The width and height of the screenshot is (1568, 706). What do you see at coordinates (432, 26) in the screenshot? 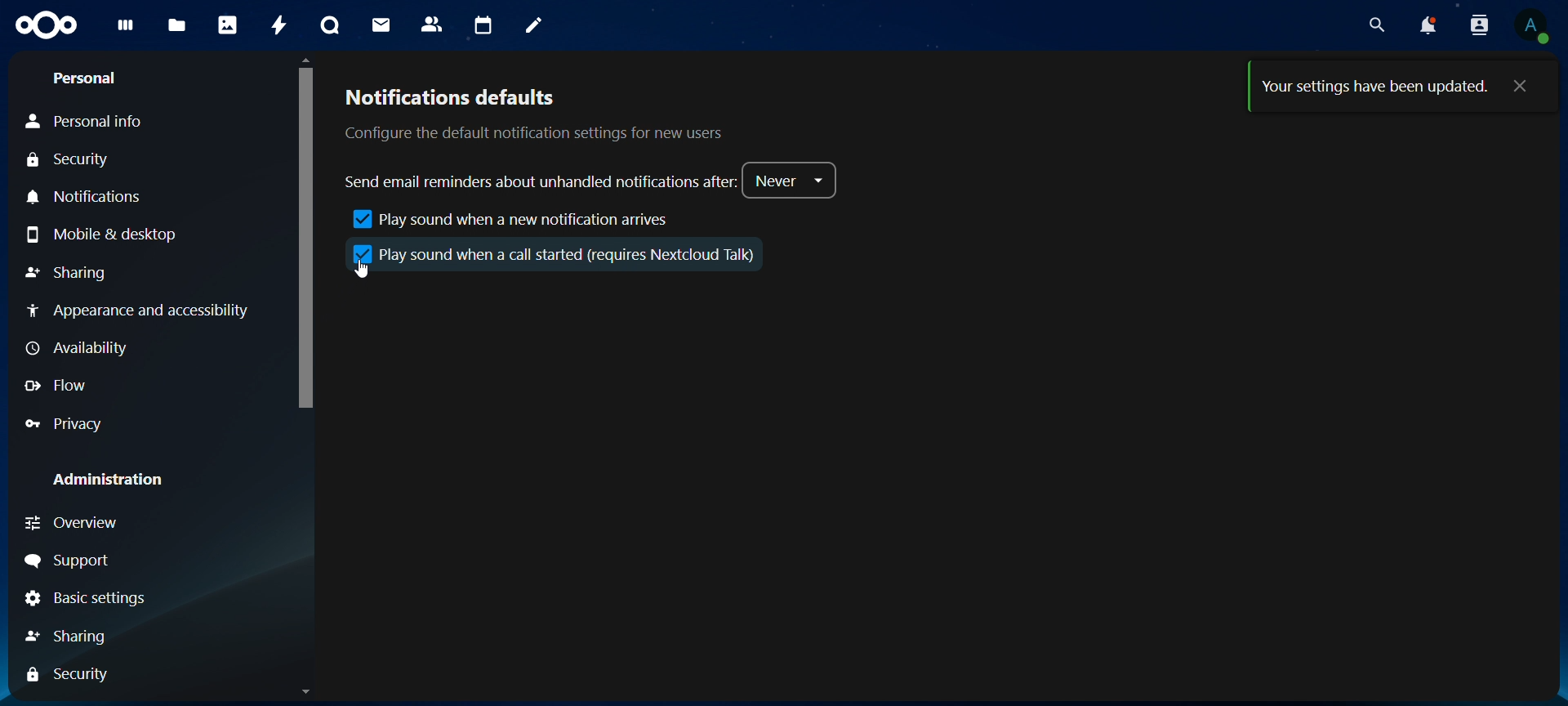
I see `contacts` at bounding box center [432, 26].